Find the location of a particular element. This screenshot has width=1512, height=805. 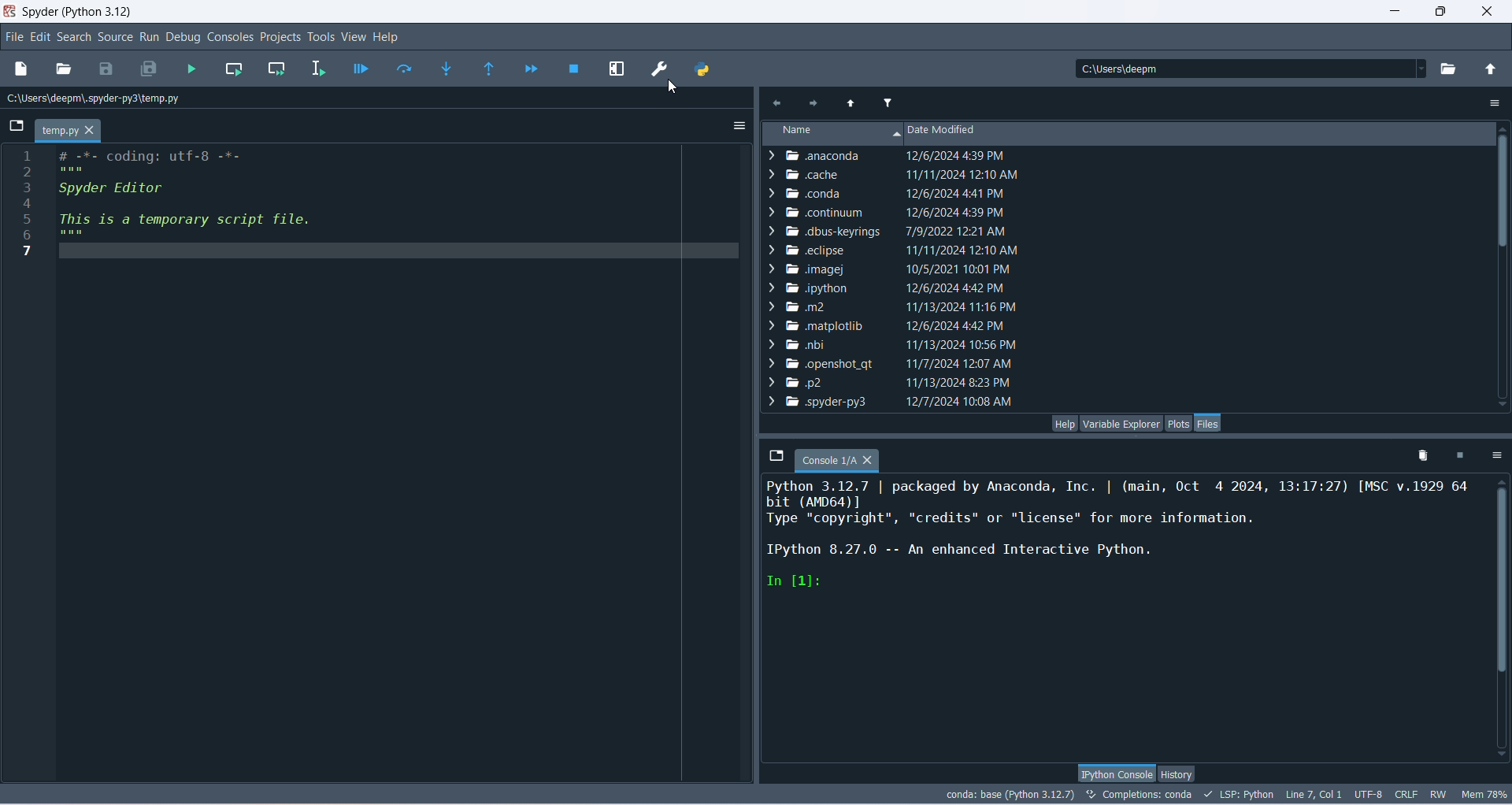

projects is located at coordinates (280, 39).